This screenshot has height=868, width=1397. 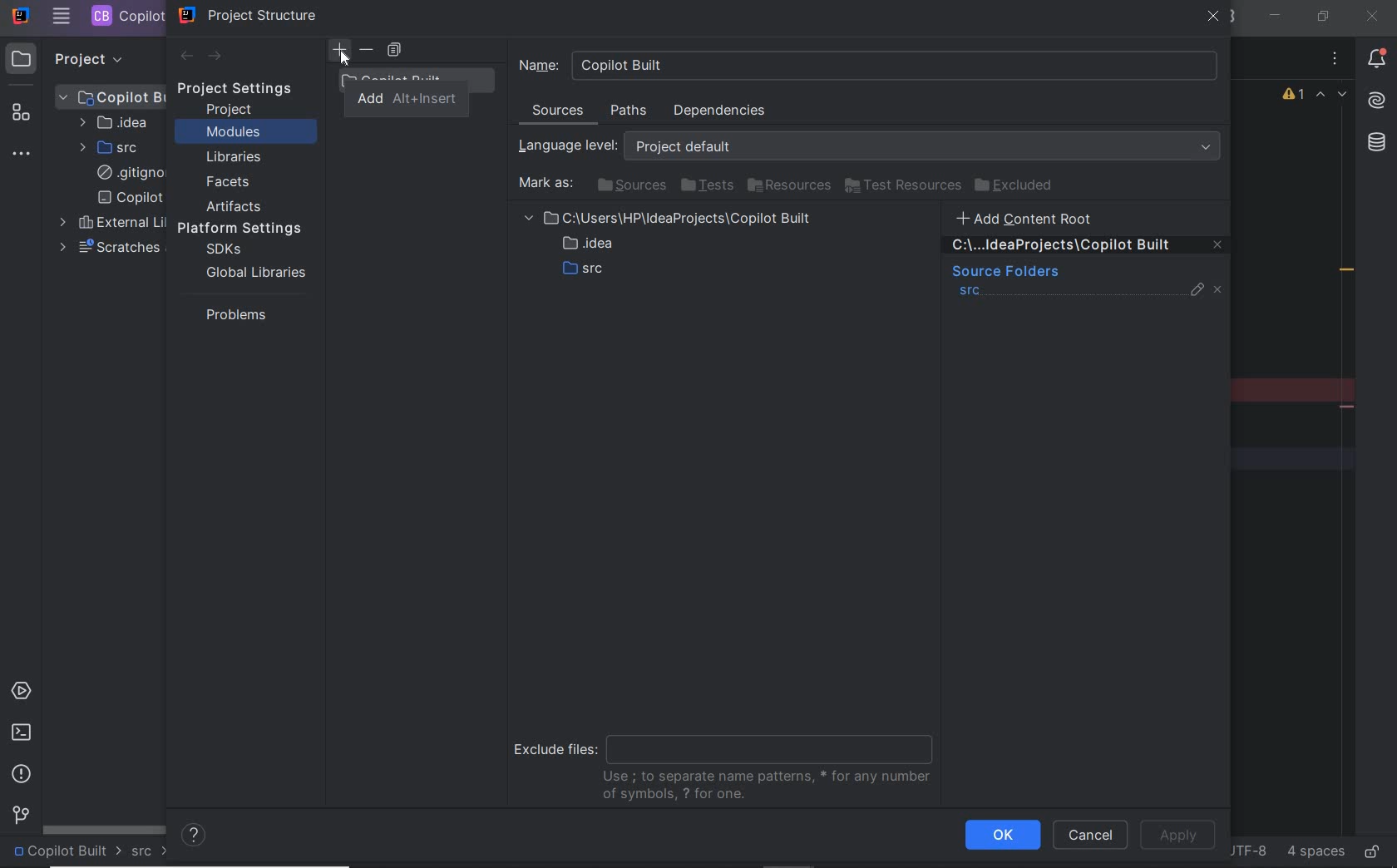 What do you see at coordinates (195, 836) in the screenshot?
I see `help contents` at bounding box center [195, 836].